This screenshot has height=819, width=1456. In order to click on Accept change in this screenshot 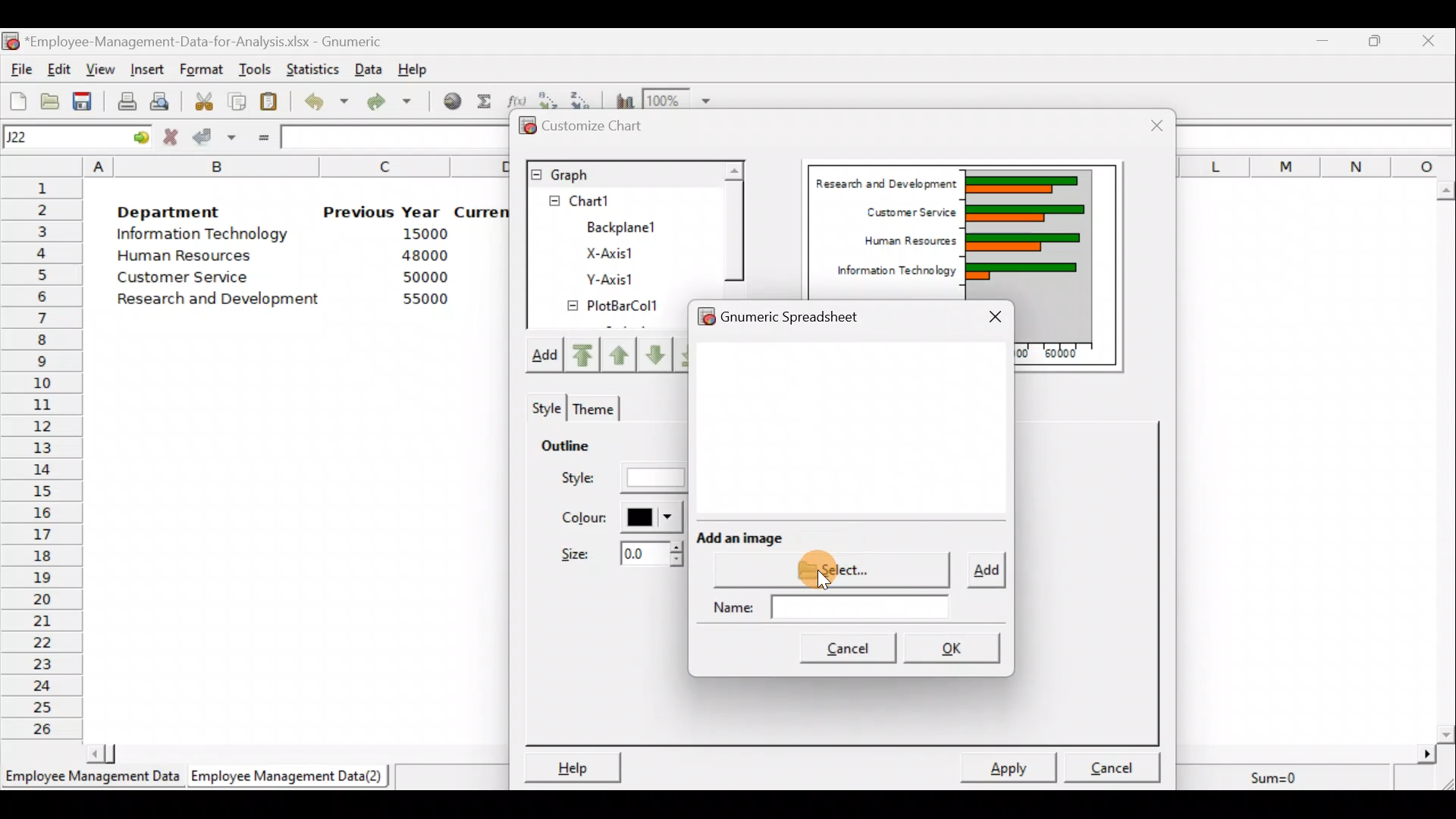, I will do `click(214, 139)`.